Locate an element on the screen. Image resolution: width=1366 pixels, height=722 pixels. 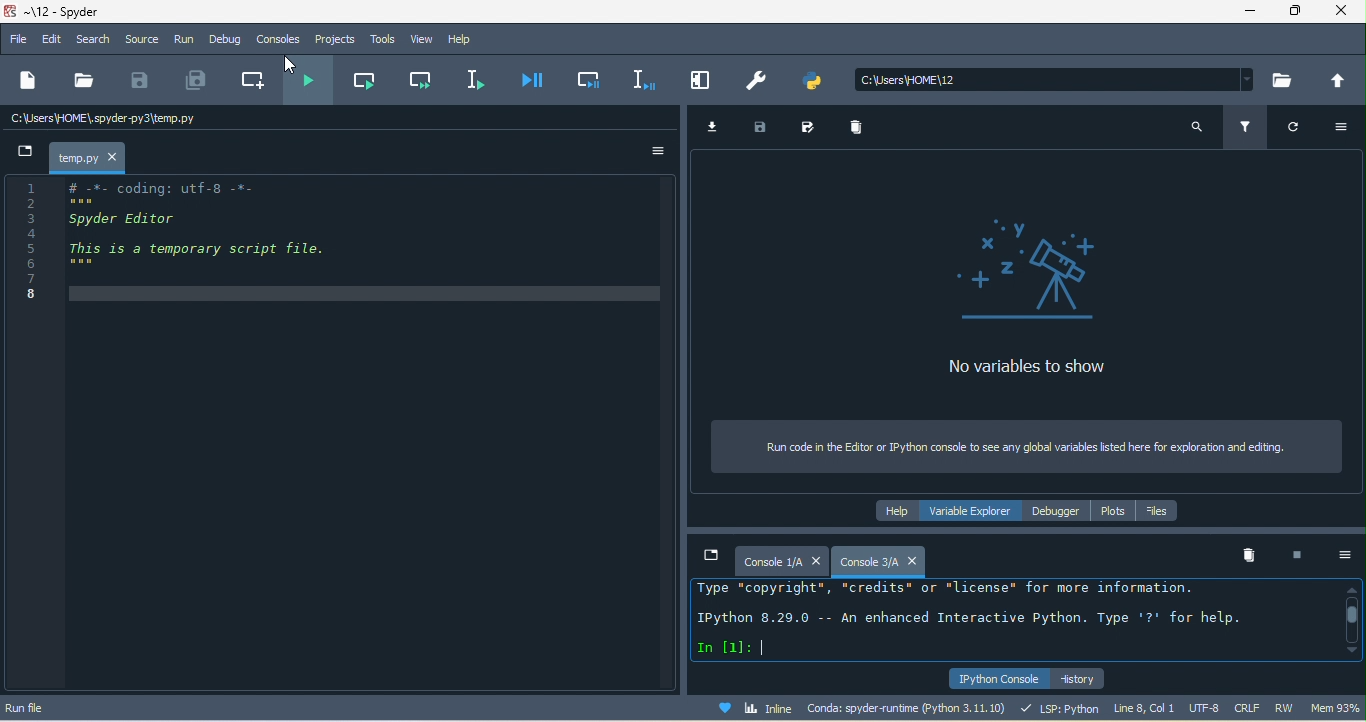
console is located at coordinates (781, 561).